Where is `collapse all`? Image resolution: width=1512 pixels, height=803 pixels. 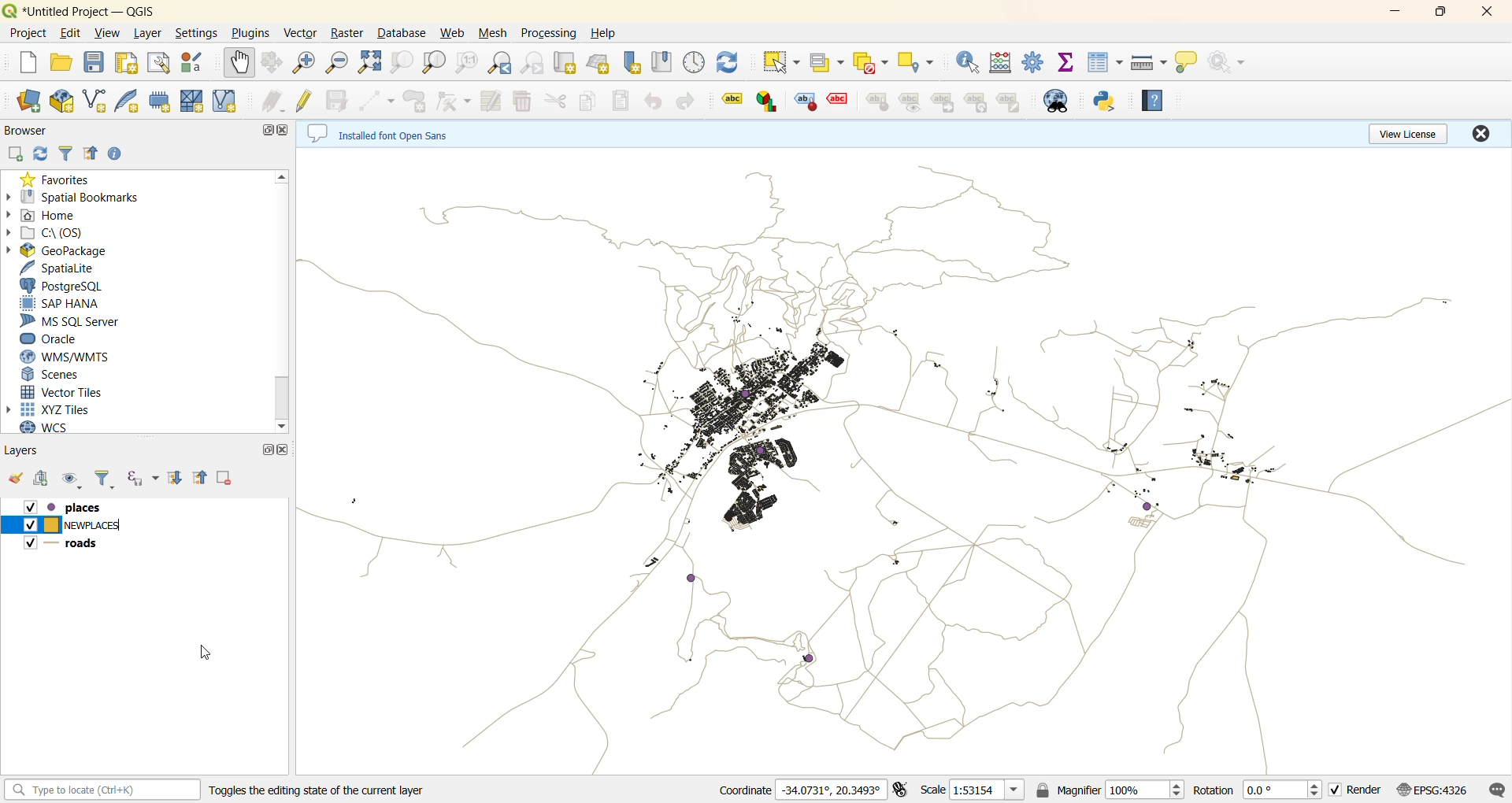
collapse all is located at coordinates (201, 478).